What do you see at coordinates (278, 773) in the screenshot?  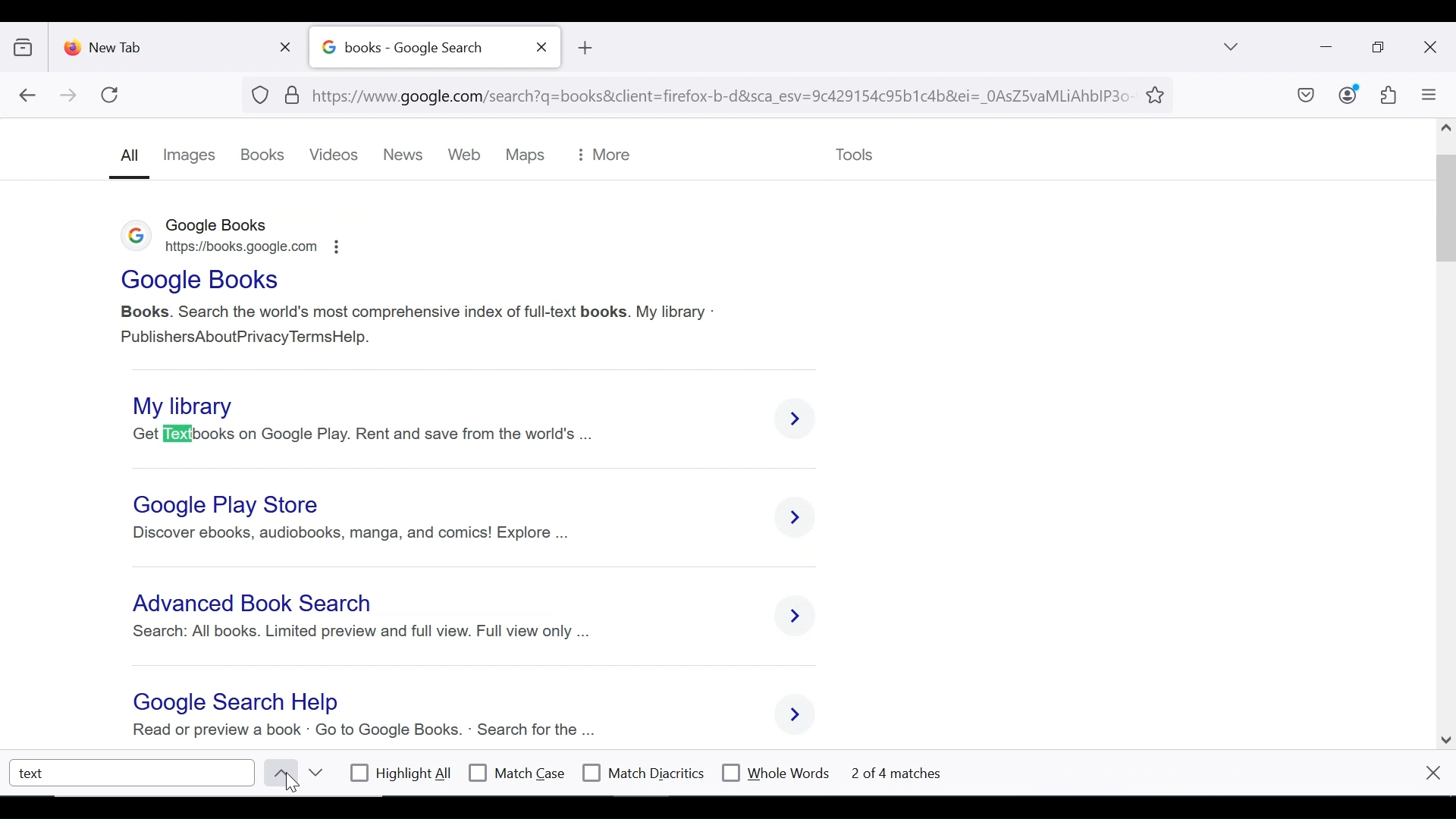 I see `previous` at bounding box center [278, 773].